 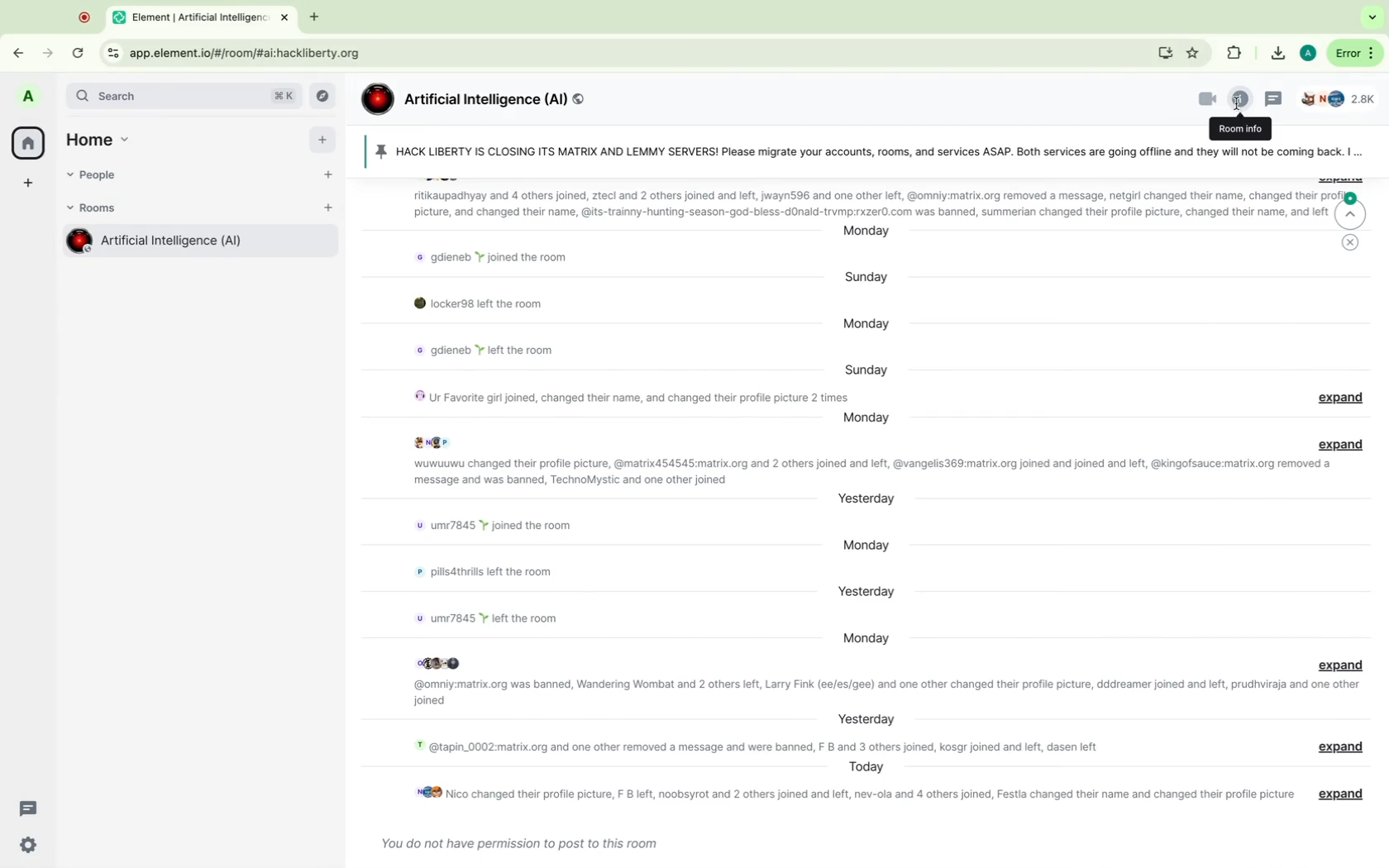 What do you see at coordinates (1194, 53) in the screenshot?
I see `extentions` at bounding box center [1194, 53].